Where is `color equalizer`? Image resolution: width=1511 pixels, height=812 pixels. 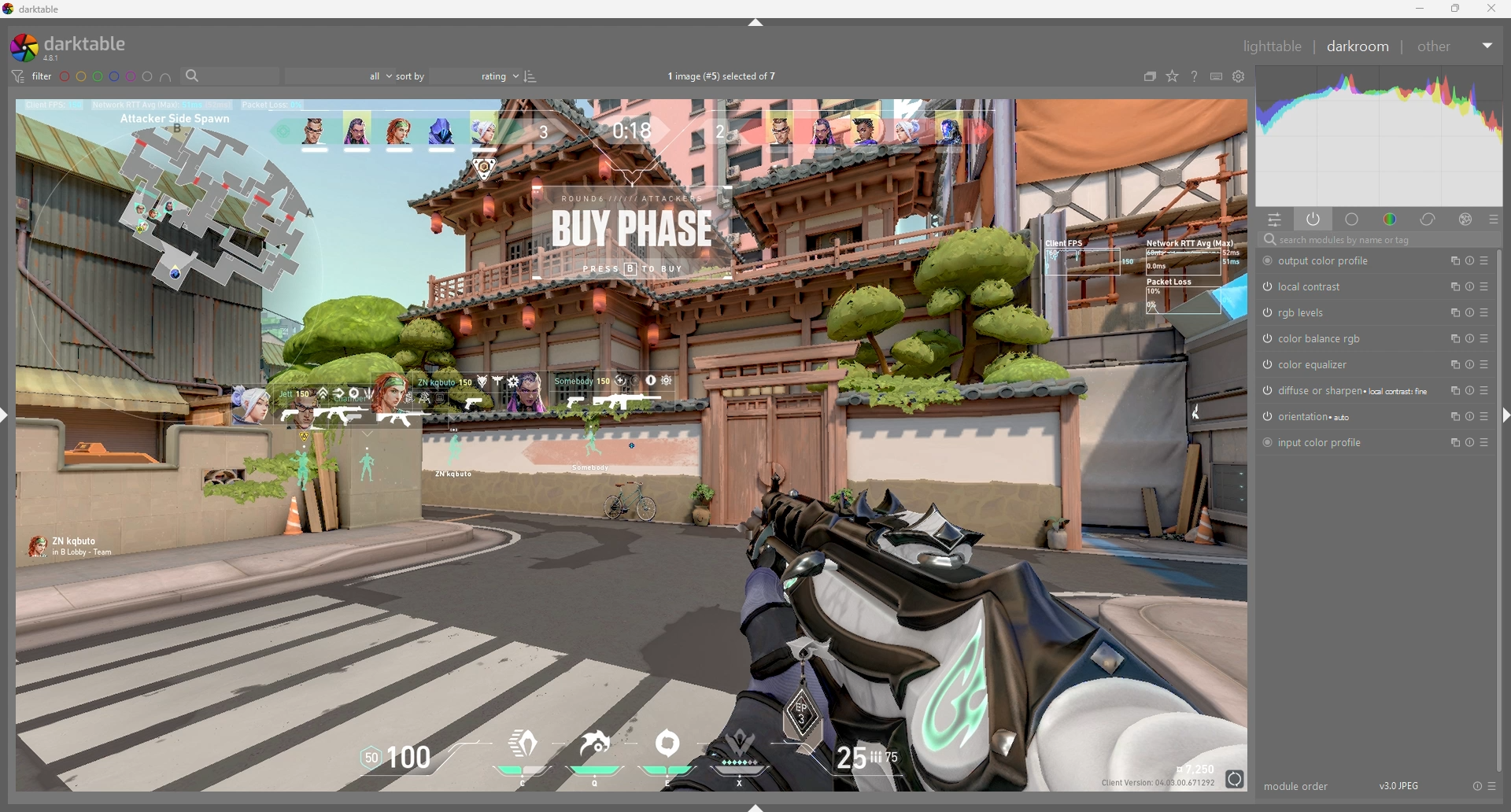 color equalizer is located at coordinates (1310, 364).